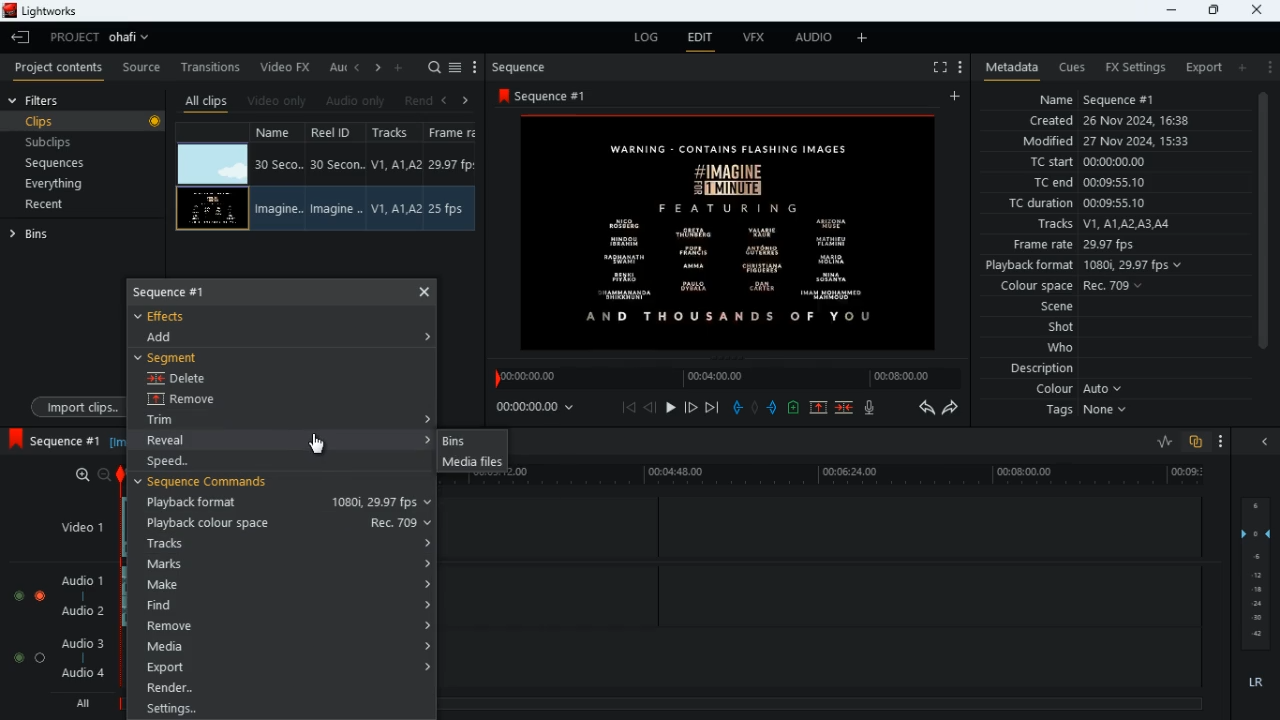  I want to click on filters, so click(46, 101).